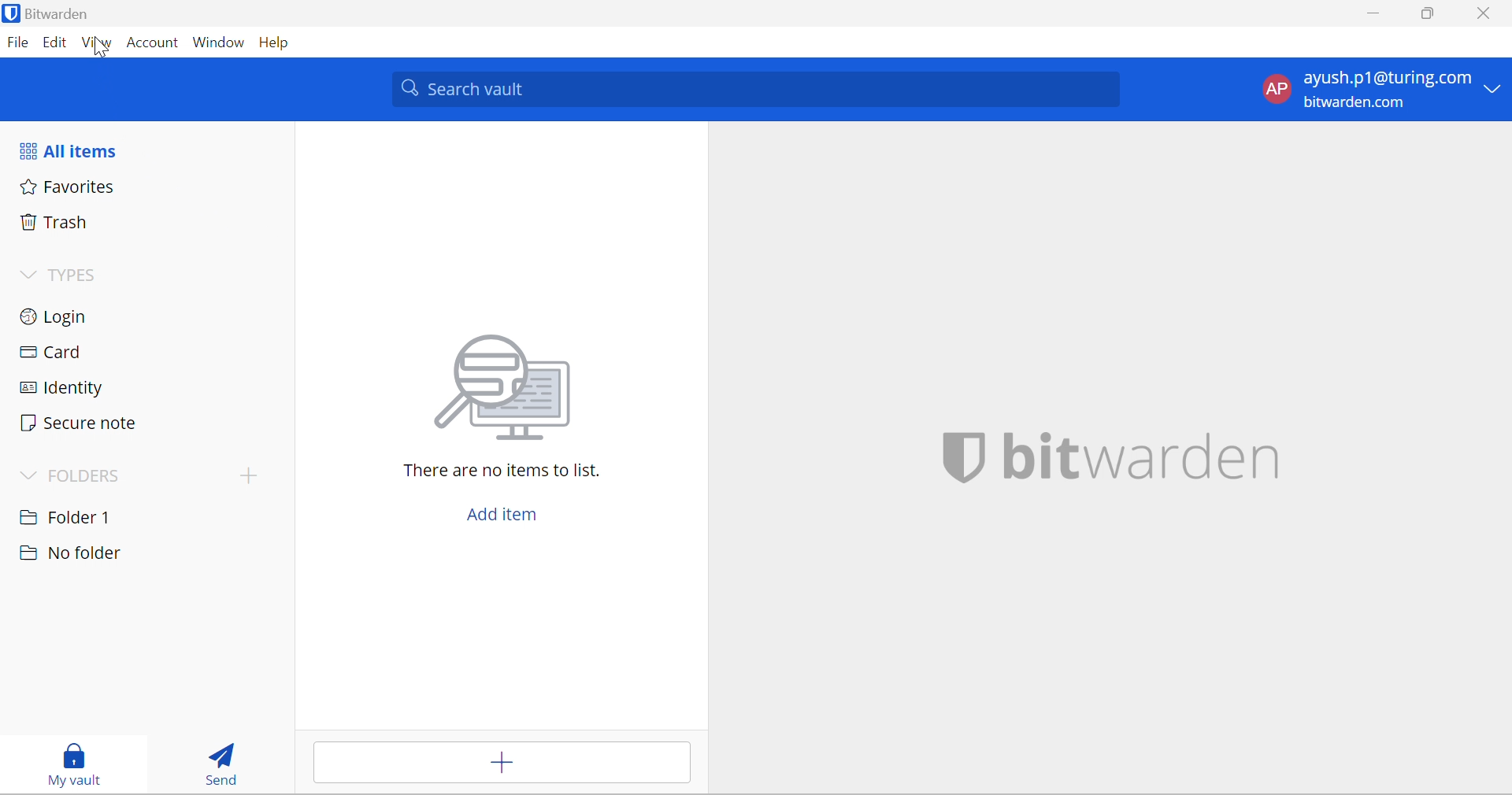  Describe the element at coordinates (280, 43) in the screenshot. I see `Help` at that location.